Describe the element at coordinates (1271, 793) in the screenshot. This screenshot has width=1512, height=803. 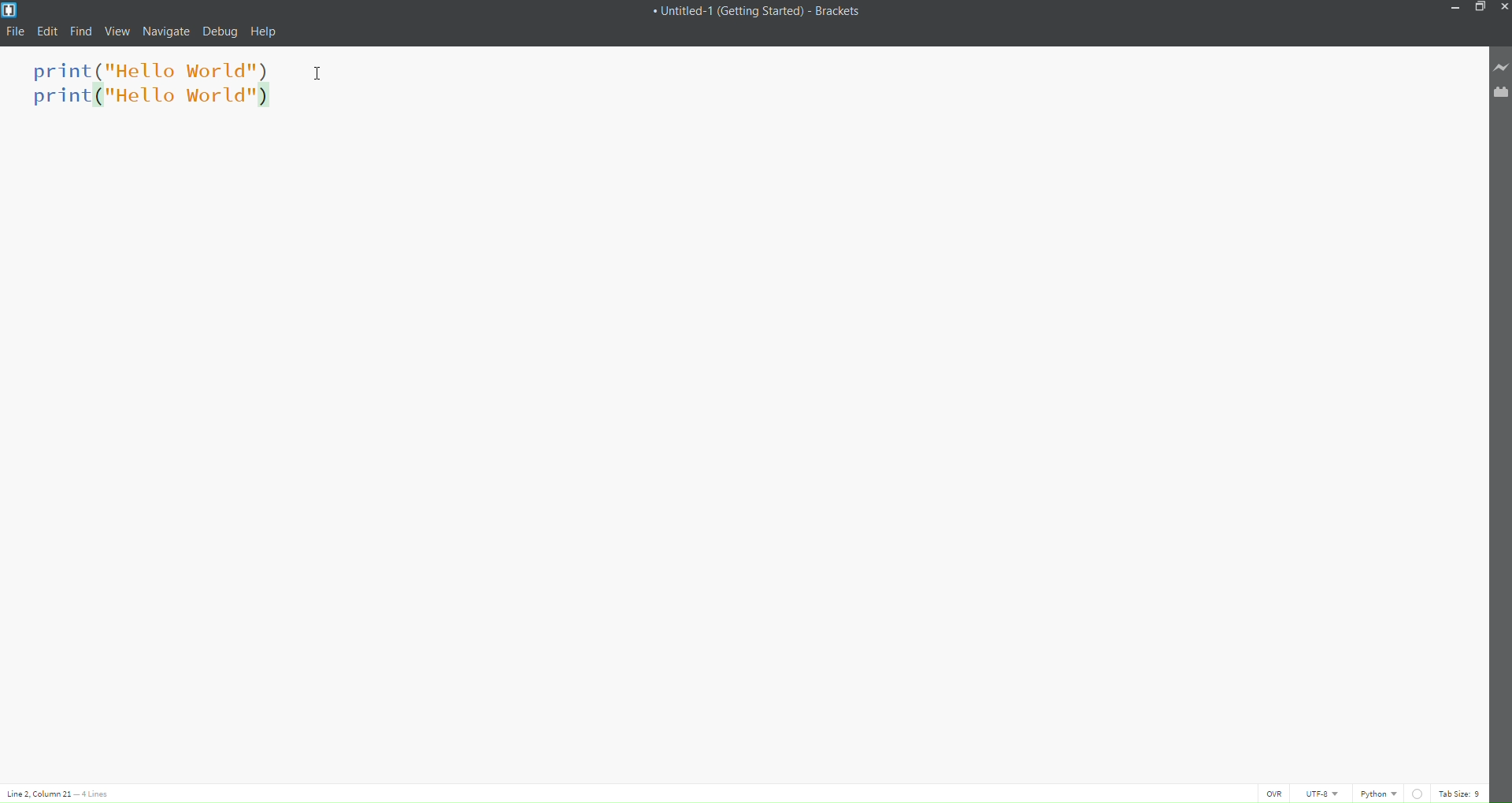
I see `ovr` at that location.